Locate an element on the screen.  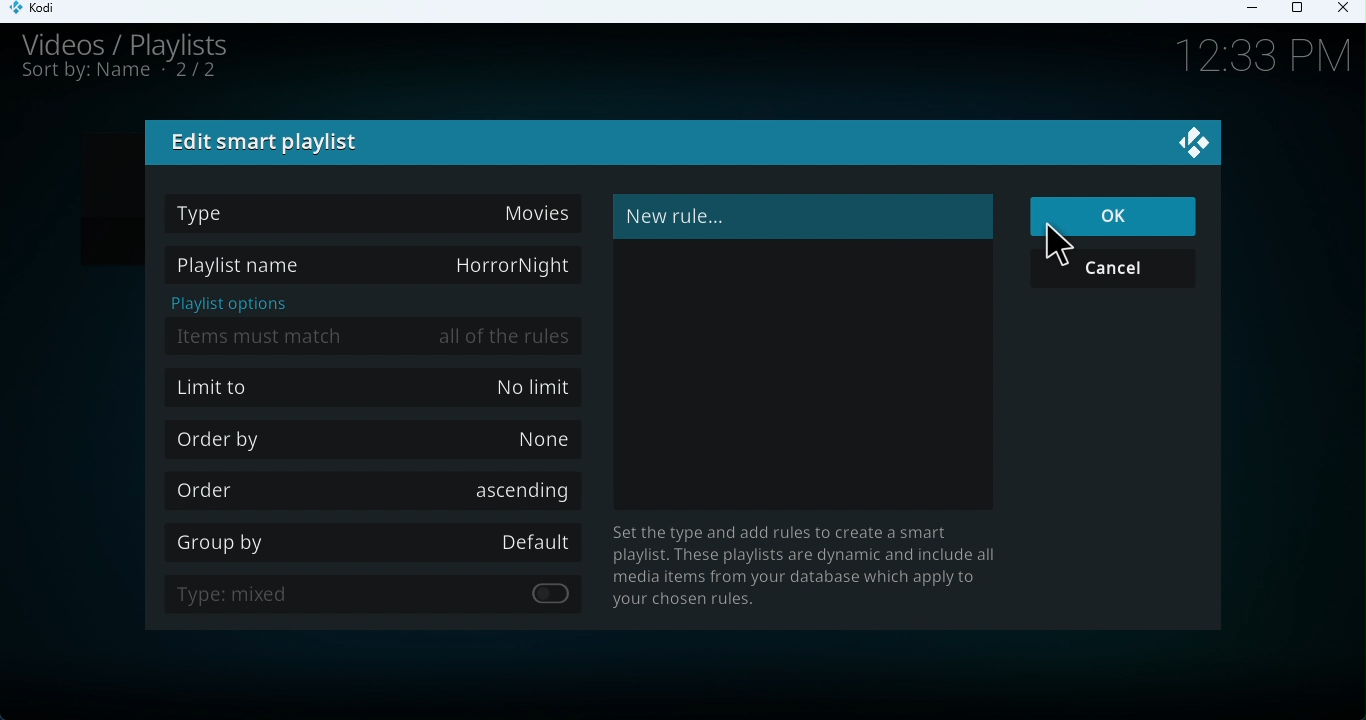
Cancel is located at coordinates (1122, 271).